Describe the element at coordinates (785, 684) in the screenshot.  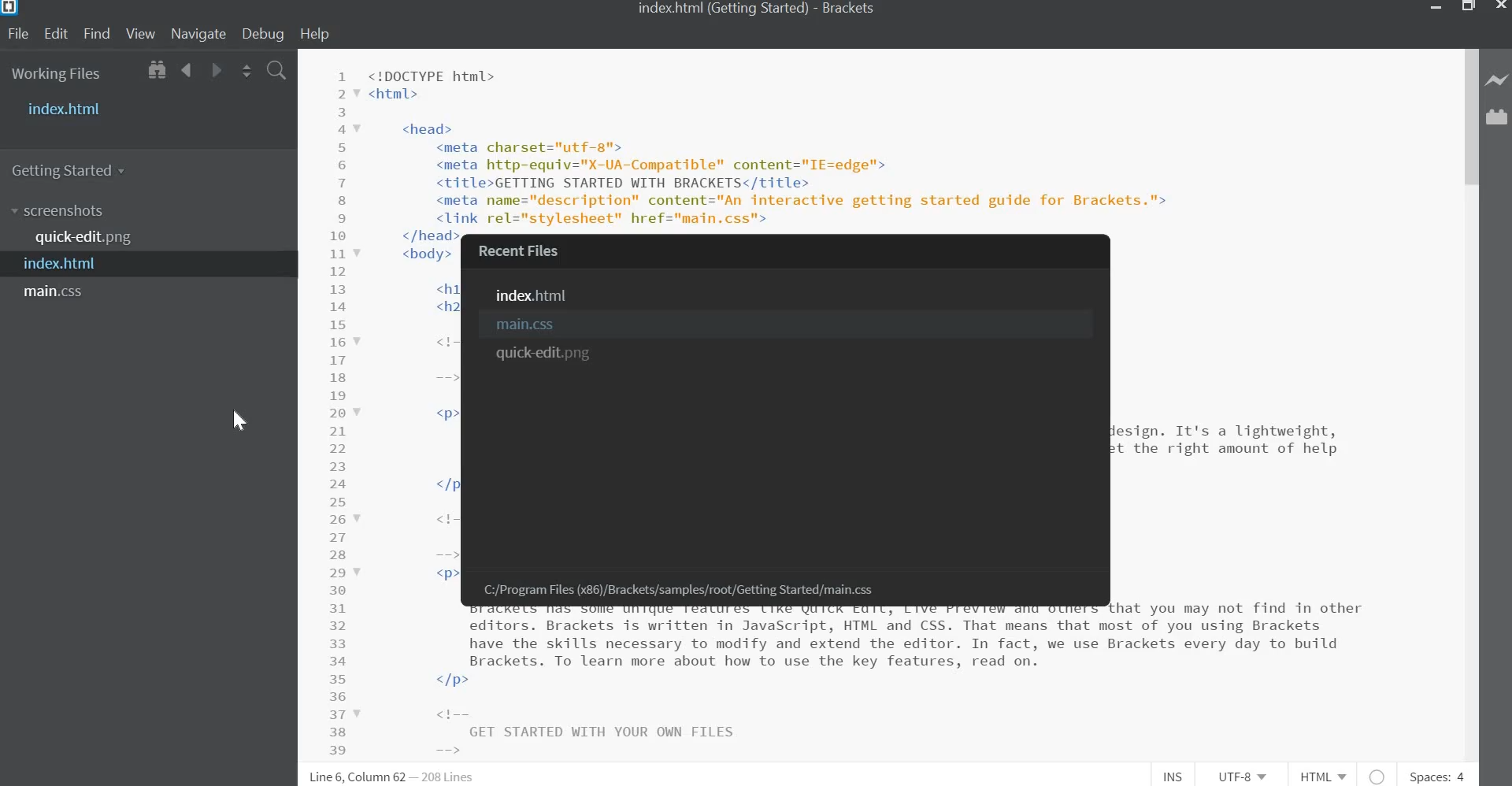
I see `editor area` at that location.